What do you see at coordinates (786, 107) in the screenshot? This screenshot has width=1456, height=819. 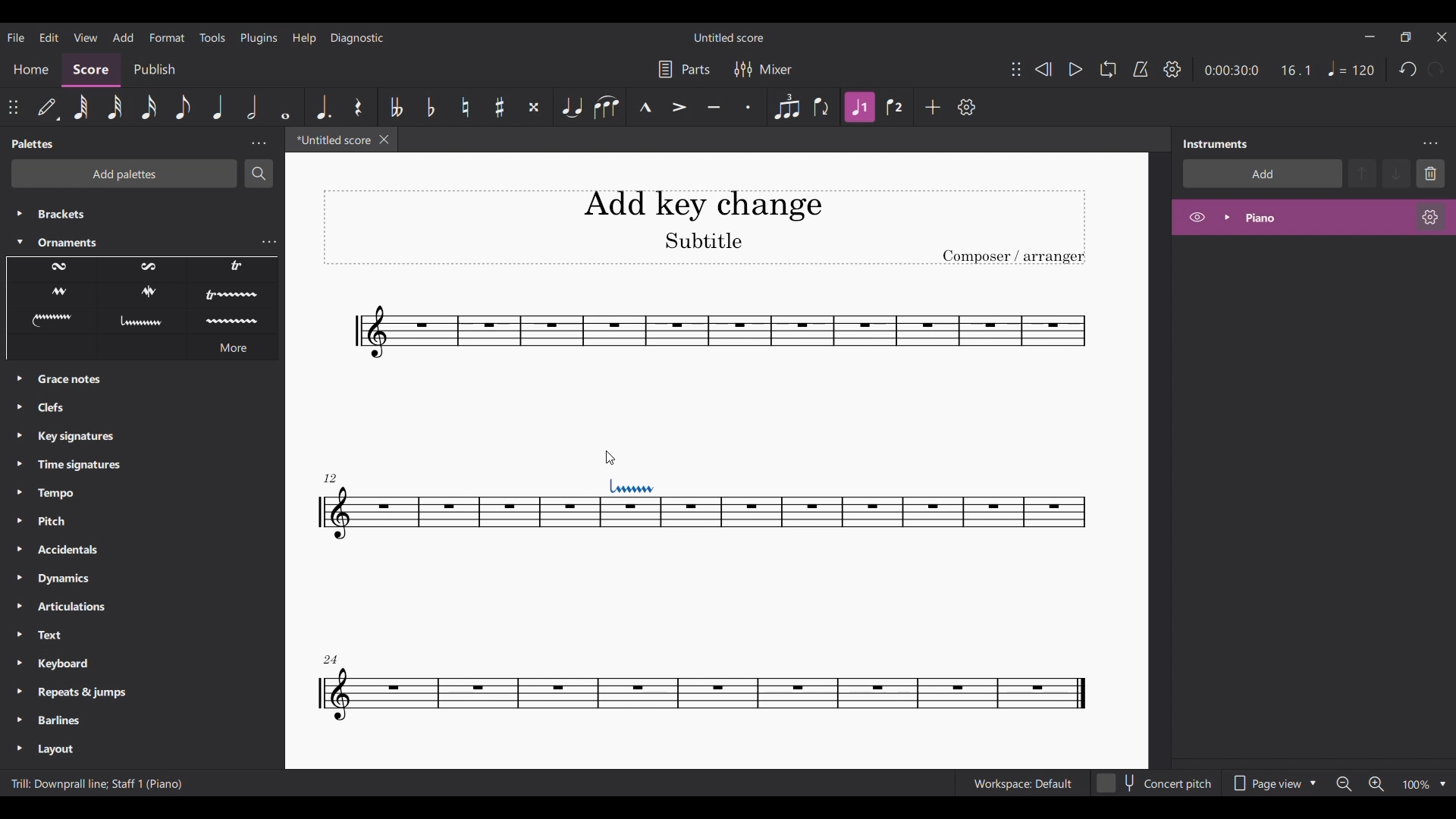 I see `Tuplet` at bounding box center [786, 107].